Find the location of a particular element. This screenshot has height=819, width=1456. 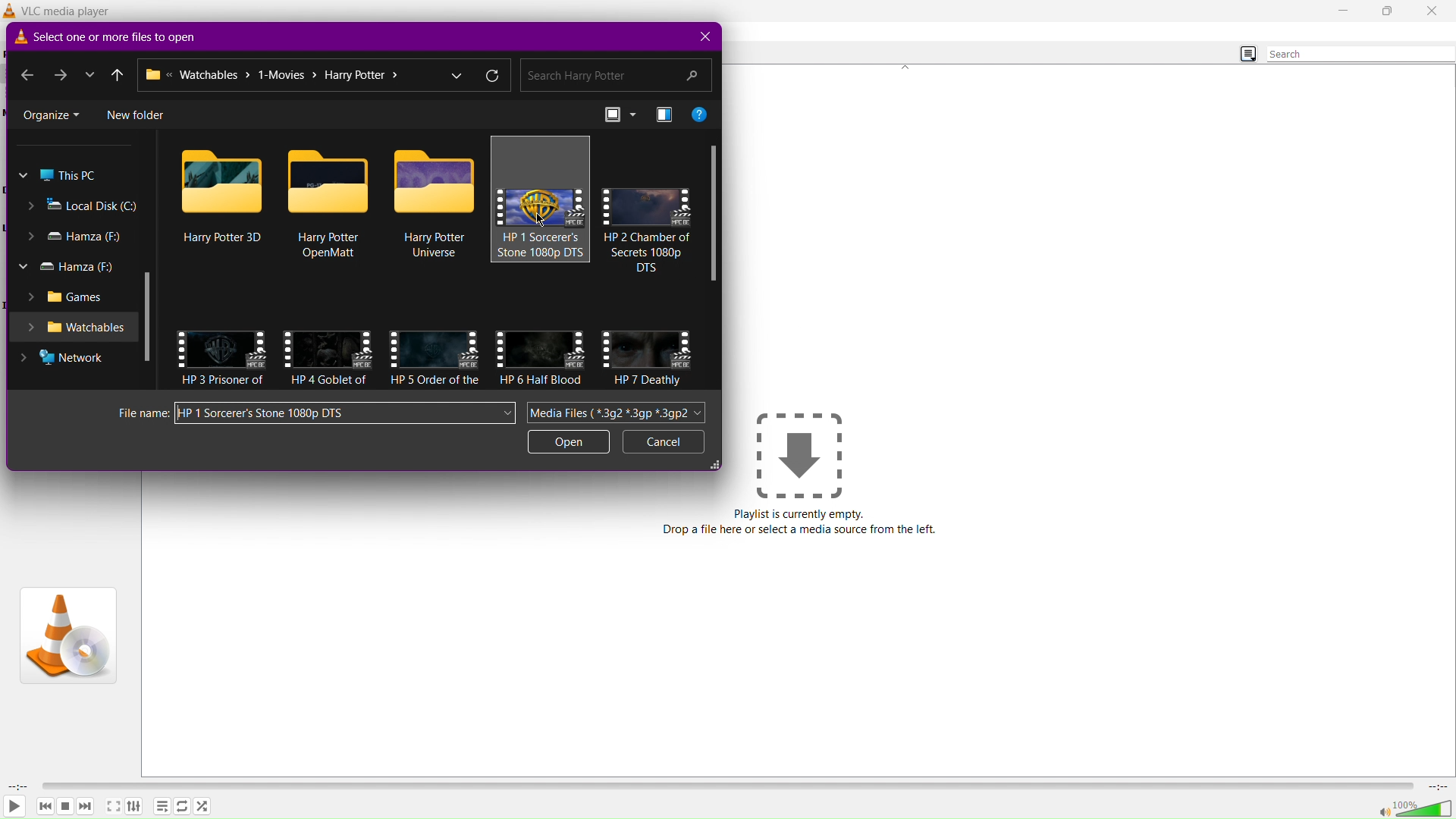

File Name is located at coordinates (139, 413).